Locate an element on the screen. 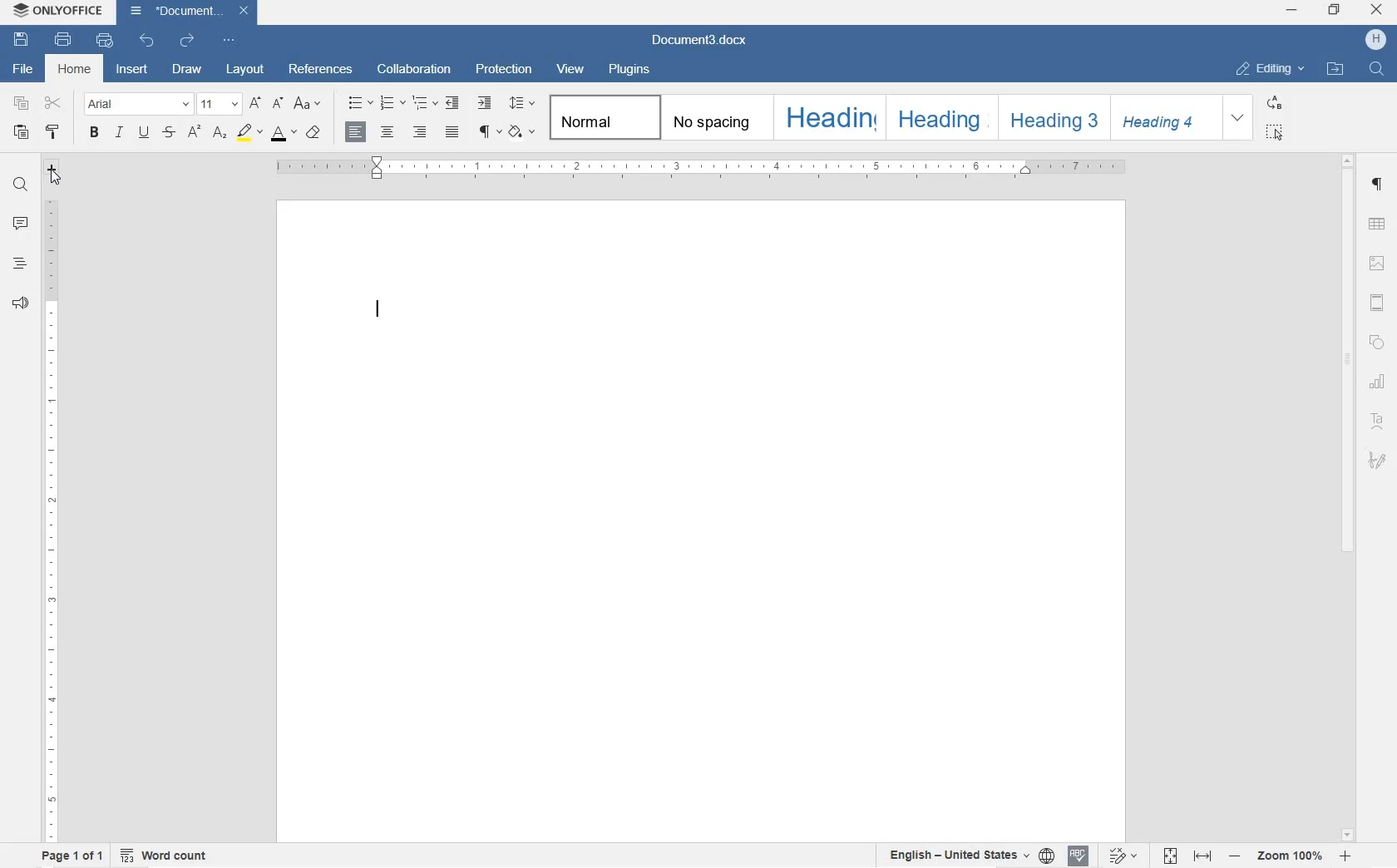 This screenshot has height=868, width=1397. TEXT ART is located at coordinates (1378, 423).